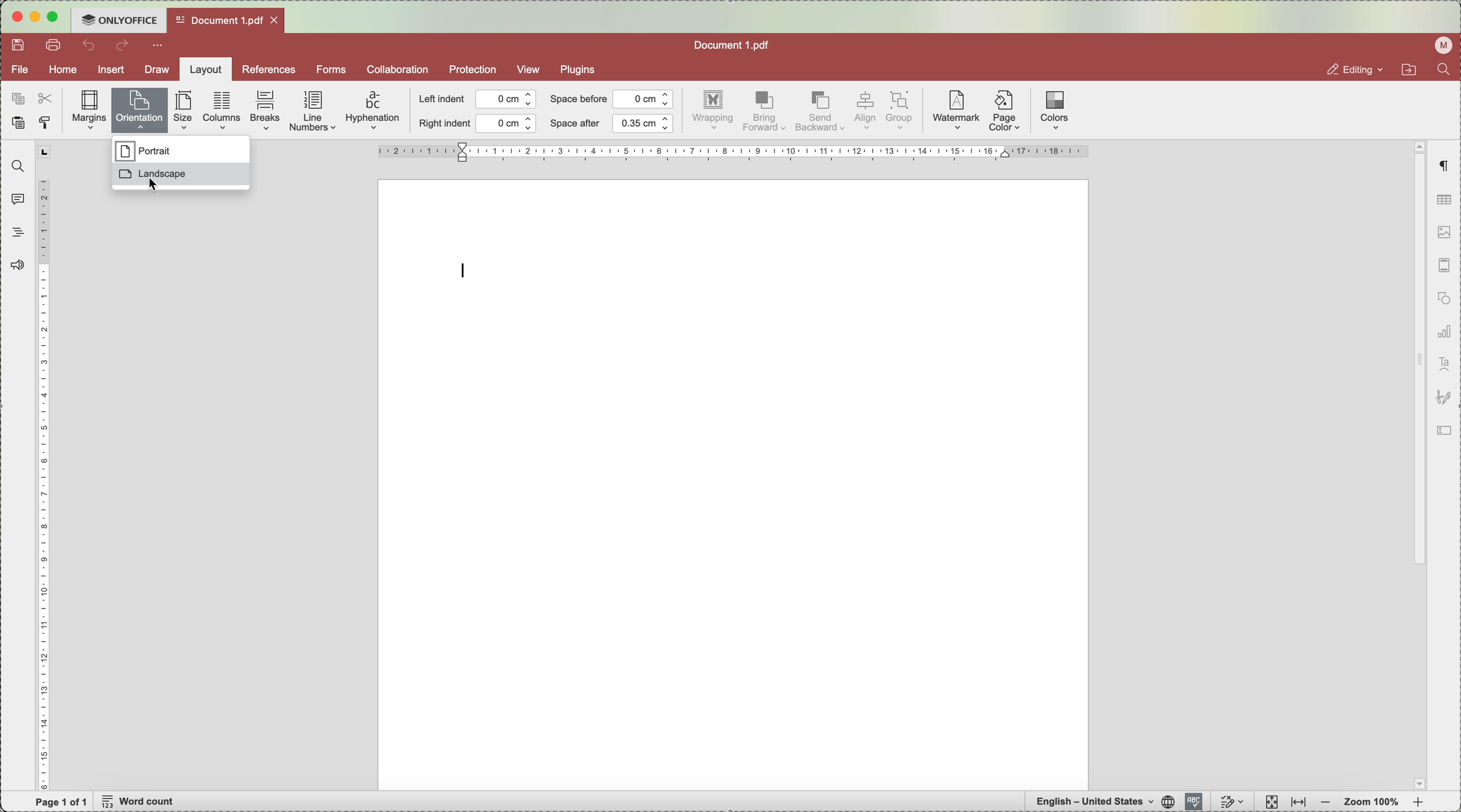 The width and height of the screenshot is (1461, 812). What do you see at coordinates (1442, 268) in the screenshot?
I see `page thumbnails` at bounding box center [1442, 268].